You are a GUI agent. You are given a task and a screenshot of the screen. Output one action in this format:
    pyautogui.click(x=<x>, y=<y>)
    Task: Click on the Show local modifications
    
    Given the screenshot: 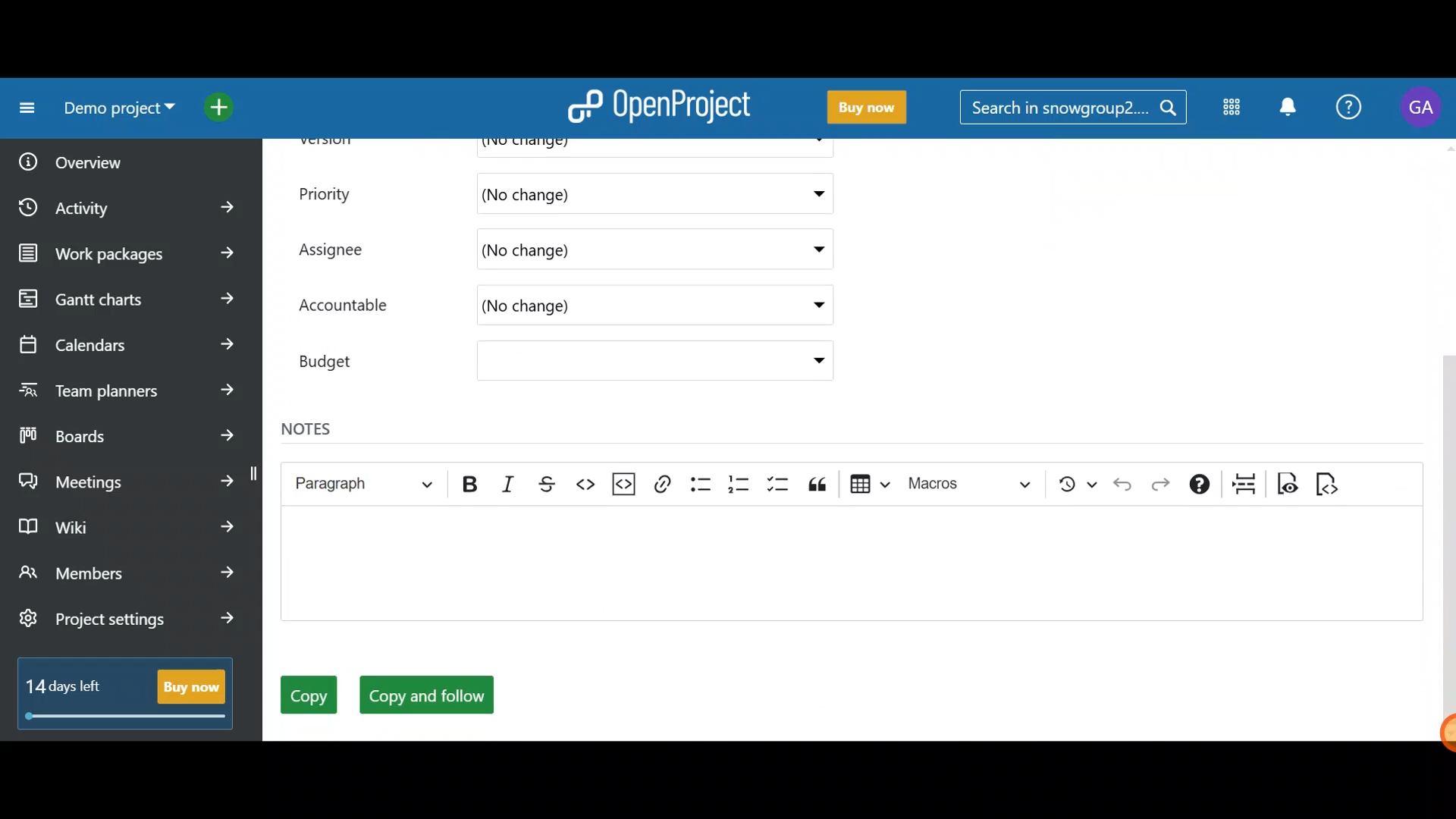 What is the action you would take?
    pyautogui.click(x=1078, y=490)
    